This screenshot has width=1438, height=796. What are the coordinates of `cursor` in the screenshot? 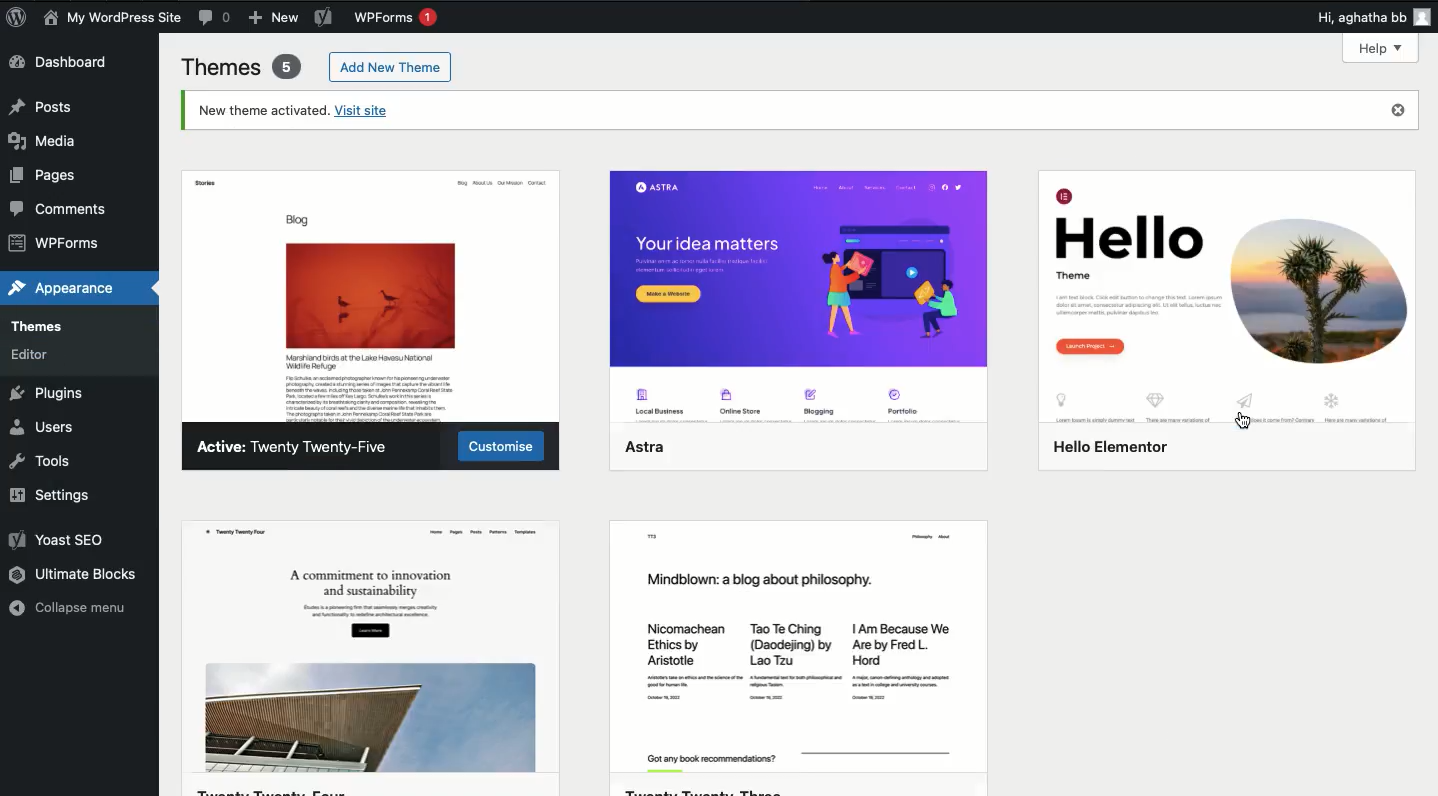 It's located at (1239, 420).